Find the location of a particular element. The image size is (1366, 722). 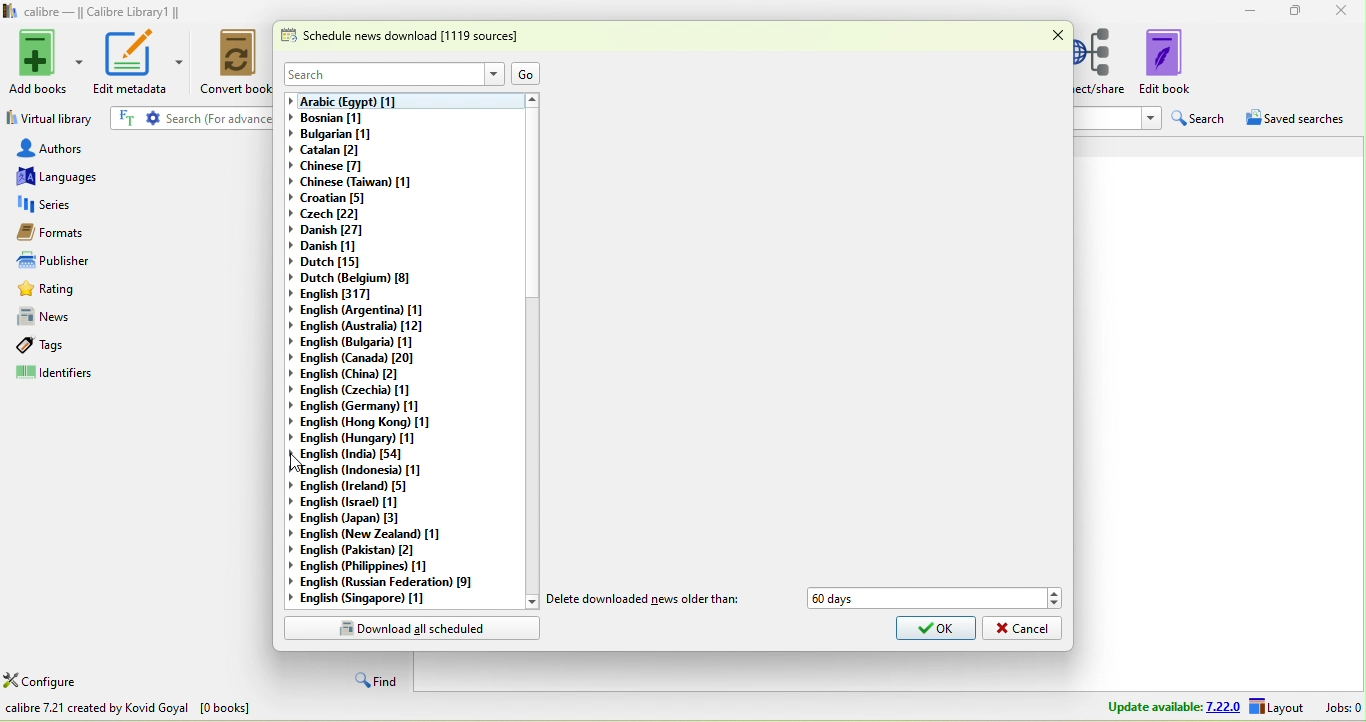

english(canada)[20] is located at coordinates (360, 358).